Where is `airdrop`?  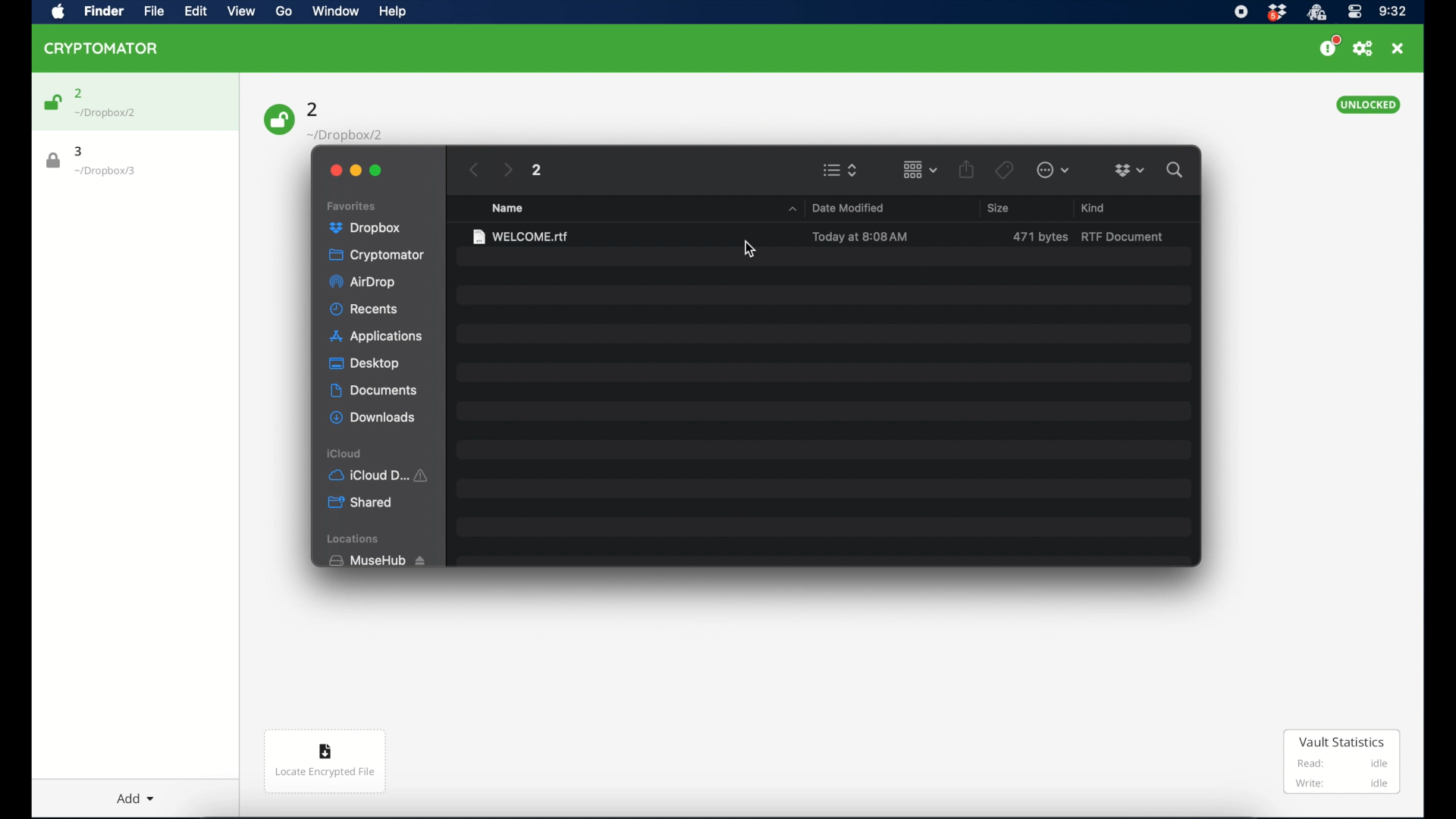
airdrop is located at coordinates (360, 282).